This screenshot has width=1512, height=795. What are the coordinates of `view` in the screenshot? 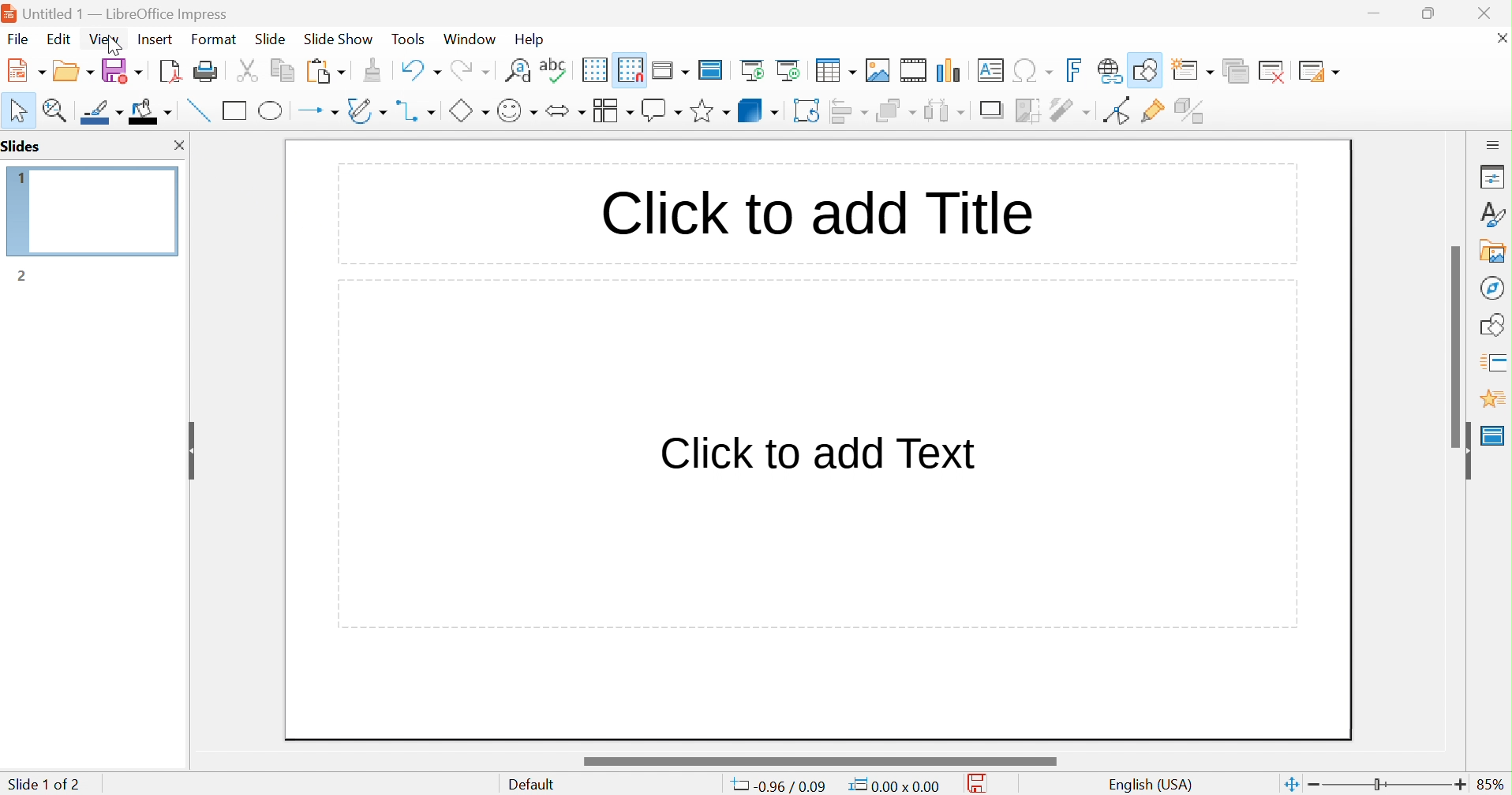 It's located at (103, 39).